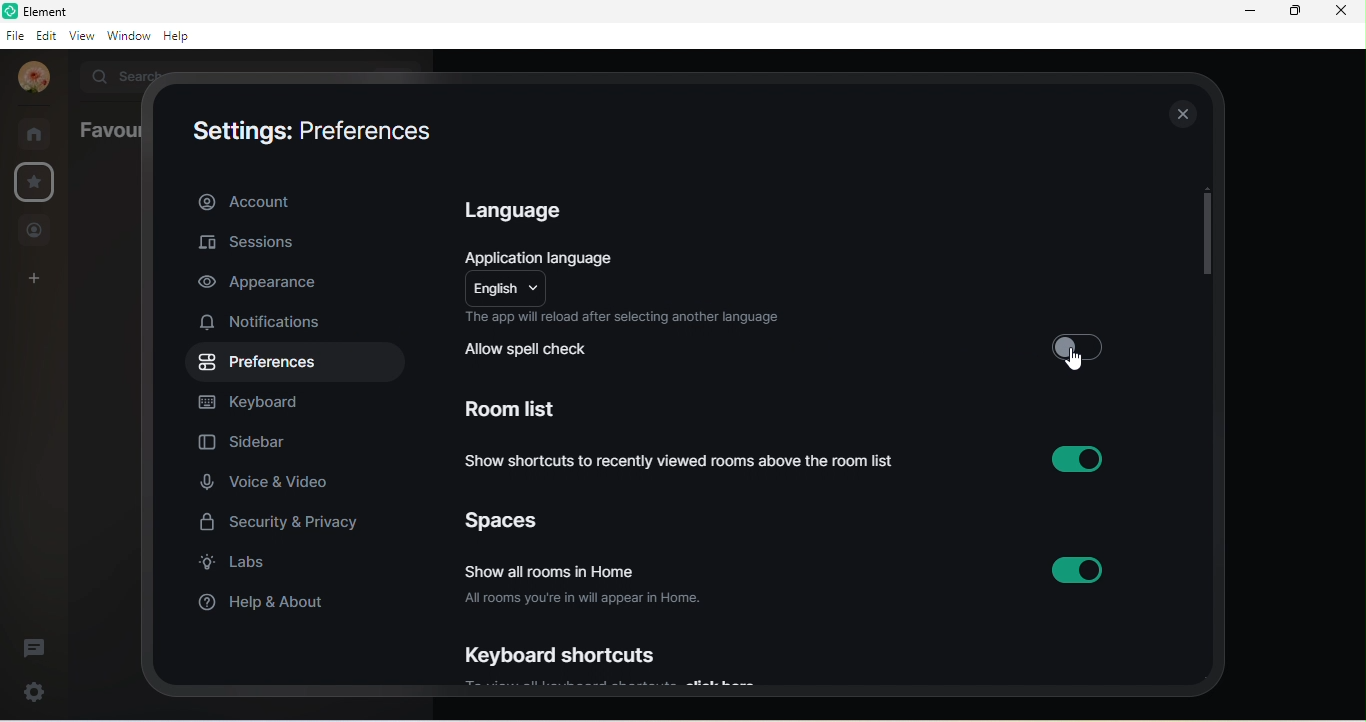 This screenshot has height=722, width=1366. What do you see at coordinates (508, 289) in the screenshot?
I see `english` at bounding box center [508, 289].